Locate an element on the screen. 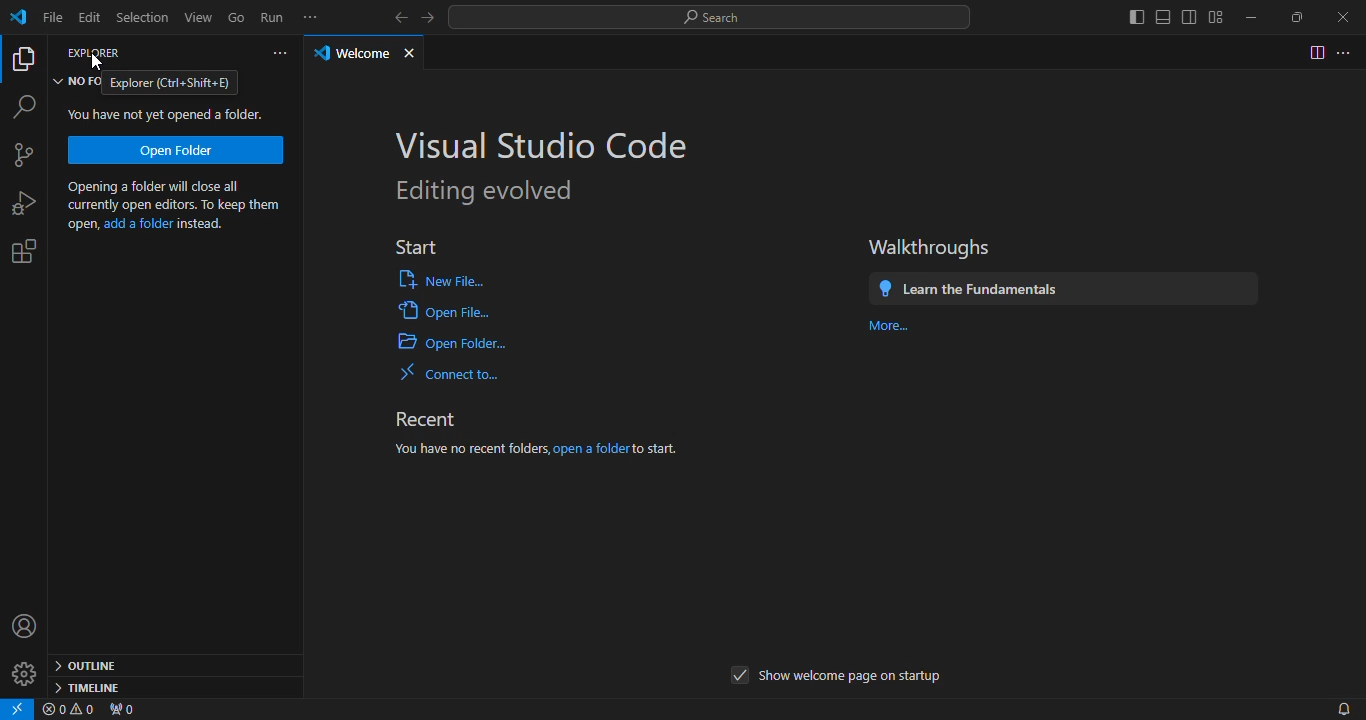  Selection is located at coordinates (144, 16).